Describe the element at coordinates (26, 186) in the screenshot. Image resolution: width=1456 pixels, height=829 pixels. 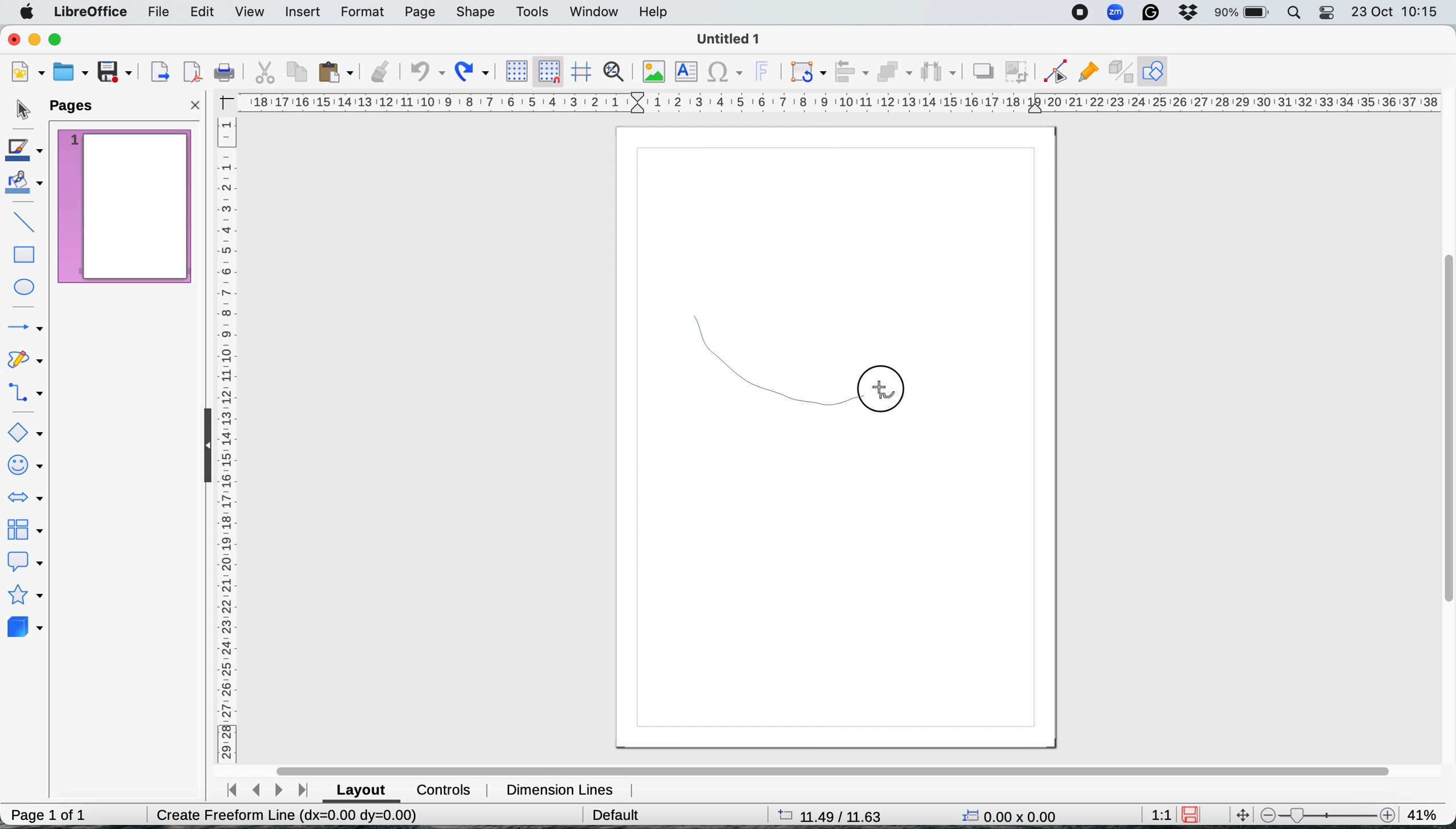
I see `fill color` at that location.